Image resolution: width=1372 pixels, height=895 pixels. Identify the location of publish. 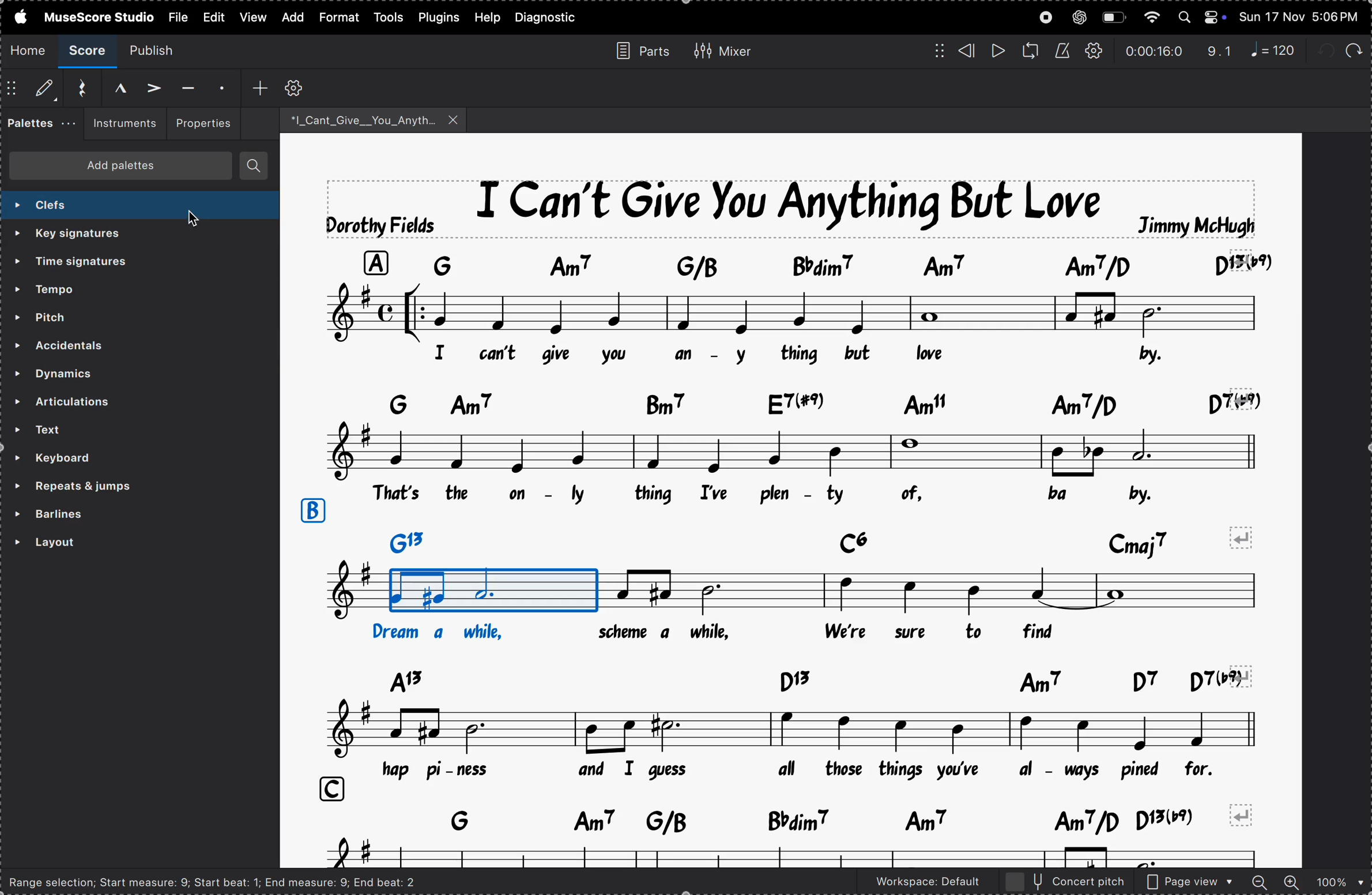
(159, 50).